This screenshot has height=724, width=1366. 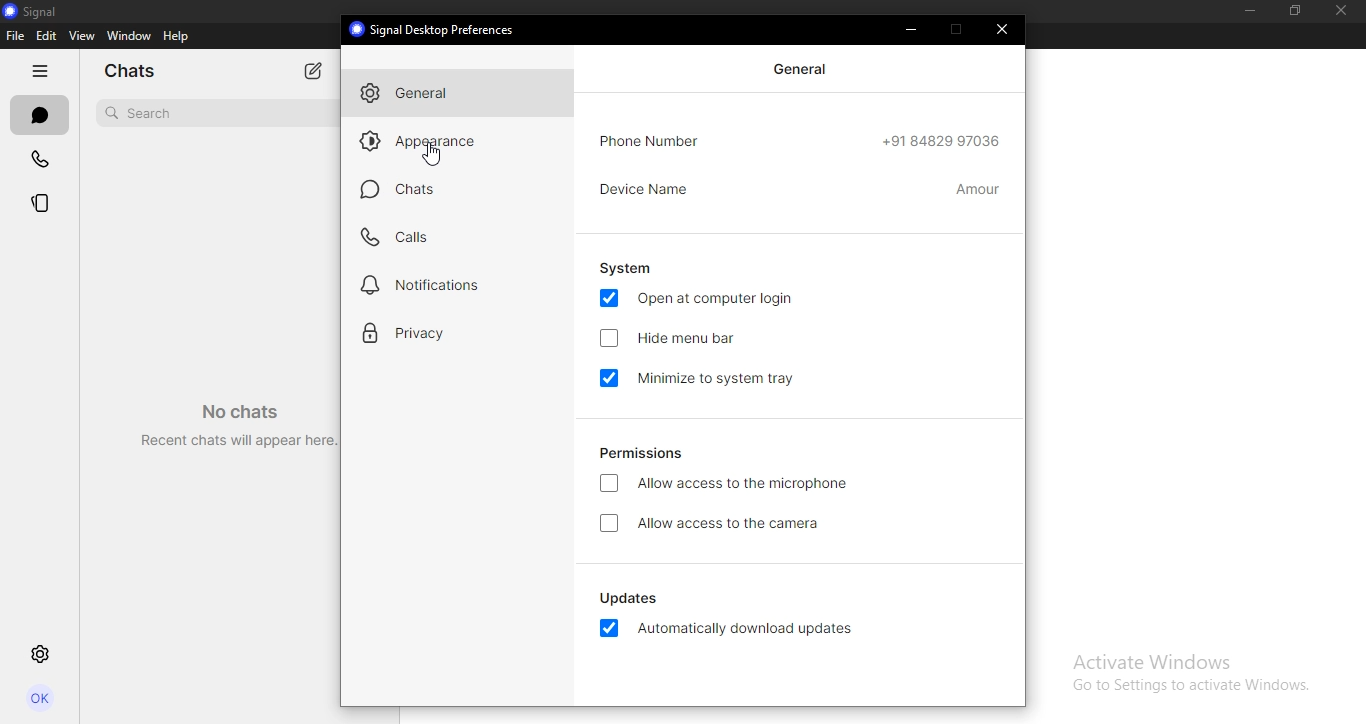 What do you see at coordinates (41, 202) in the screenshot?
I see `stories` at bounding box center [41, 202].